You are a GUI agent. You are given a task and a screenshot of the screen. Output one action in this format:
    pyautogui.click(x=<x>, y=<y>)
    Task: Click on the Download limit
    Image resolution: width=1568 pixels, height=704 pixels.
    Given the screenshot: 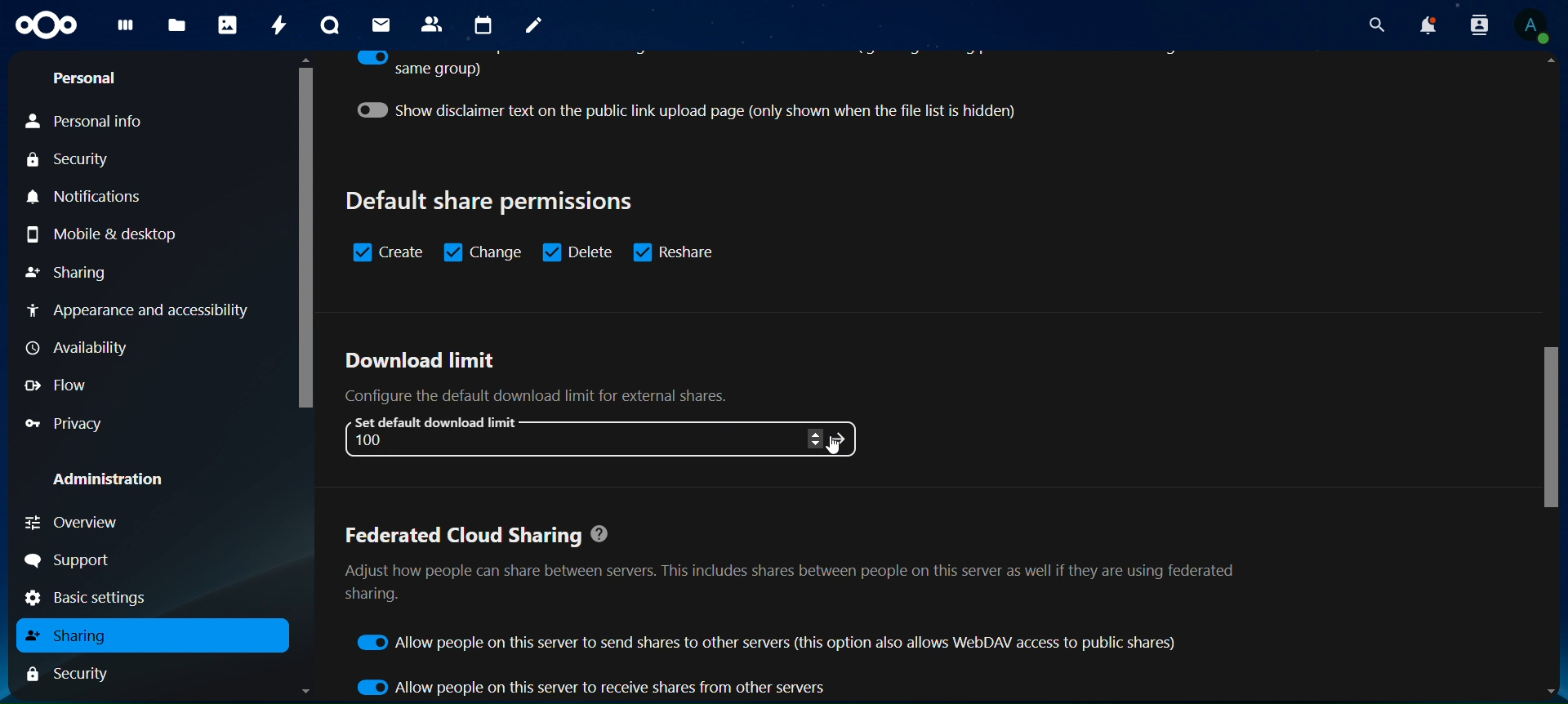 What is the action you would take?
    pyautogui.click(x=421, y=362)
    